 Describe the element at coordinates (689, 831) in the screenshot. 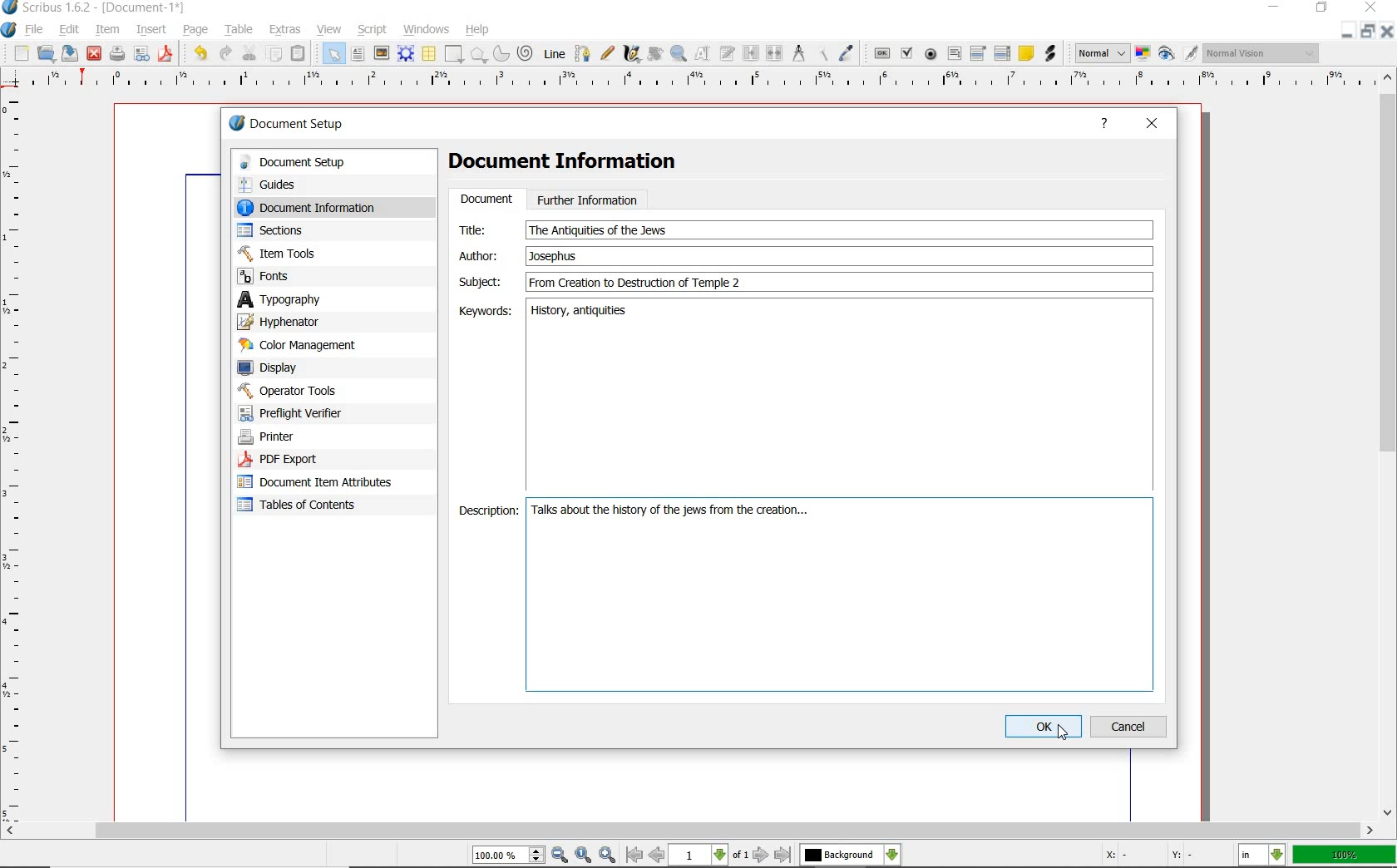

I see `scrollbar` at that location.